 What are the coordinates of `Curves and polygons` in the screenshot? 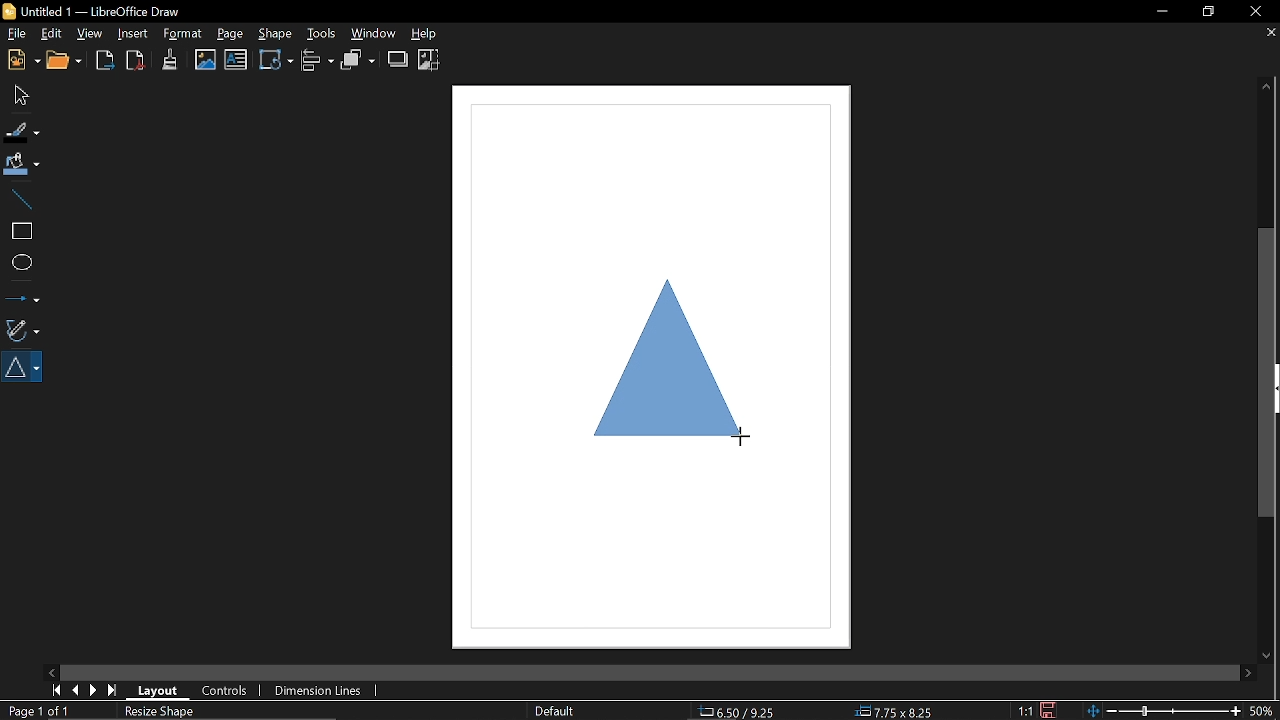 It's located at (21, 328).